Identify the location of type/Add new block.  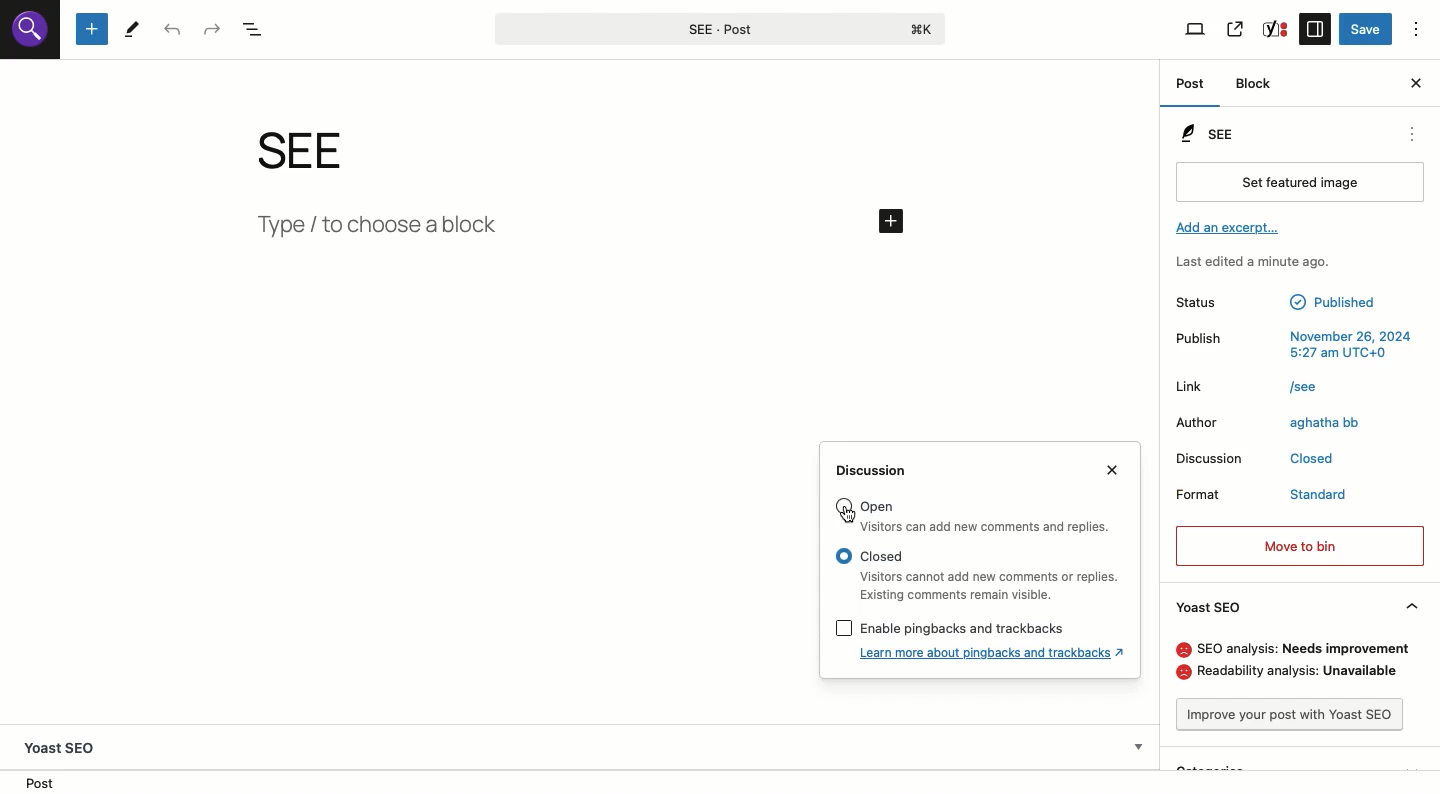
(584, 230).